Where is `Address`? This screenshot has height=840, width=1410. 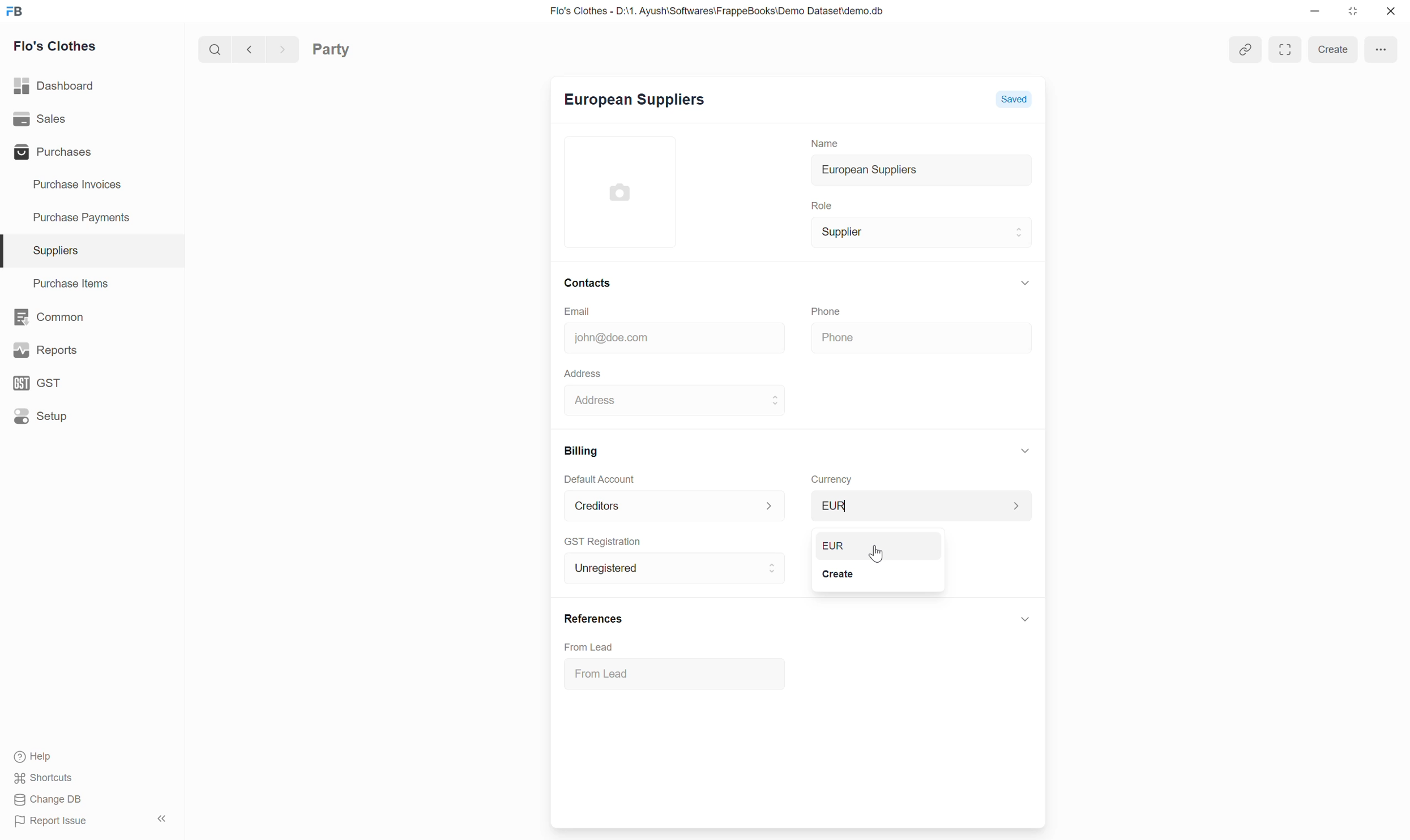
Address is located at coordinates (601, 401).